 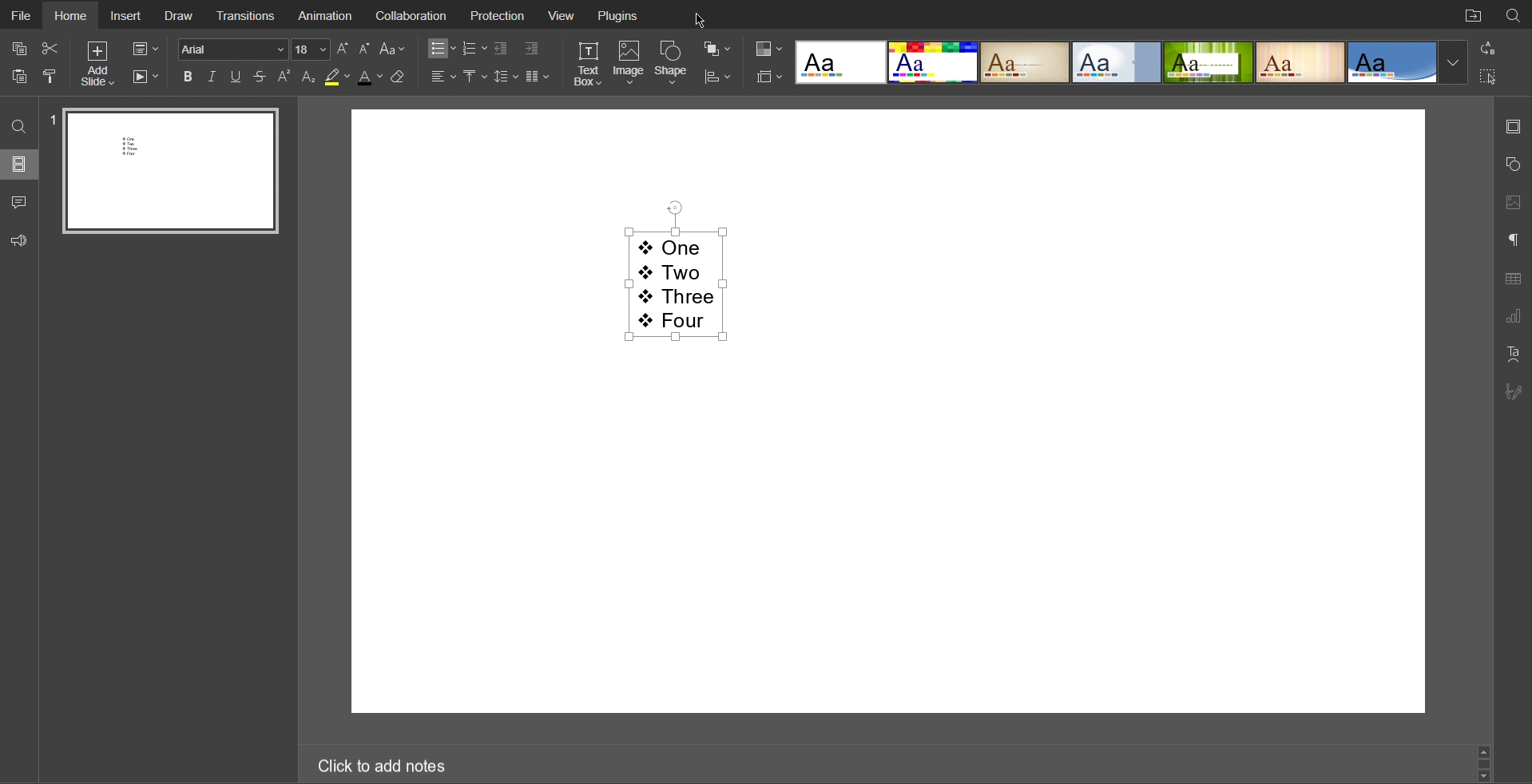 I want to click on Bullet List, so click(x=444, y=49).